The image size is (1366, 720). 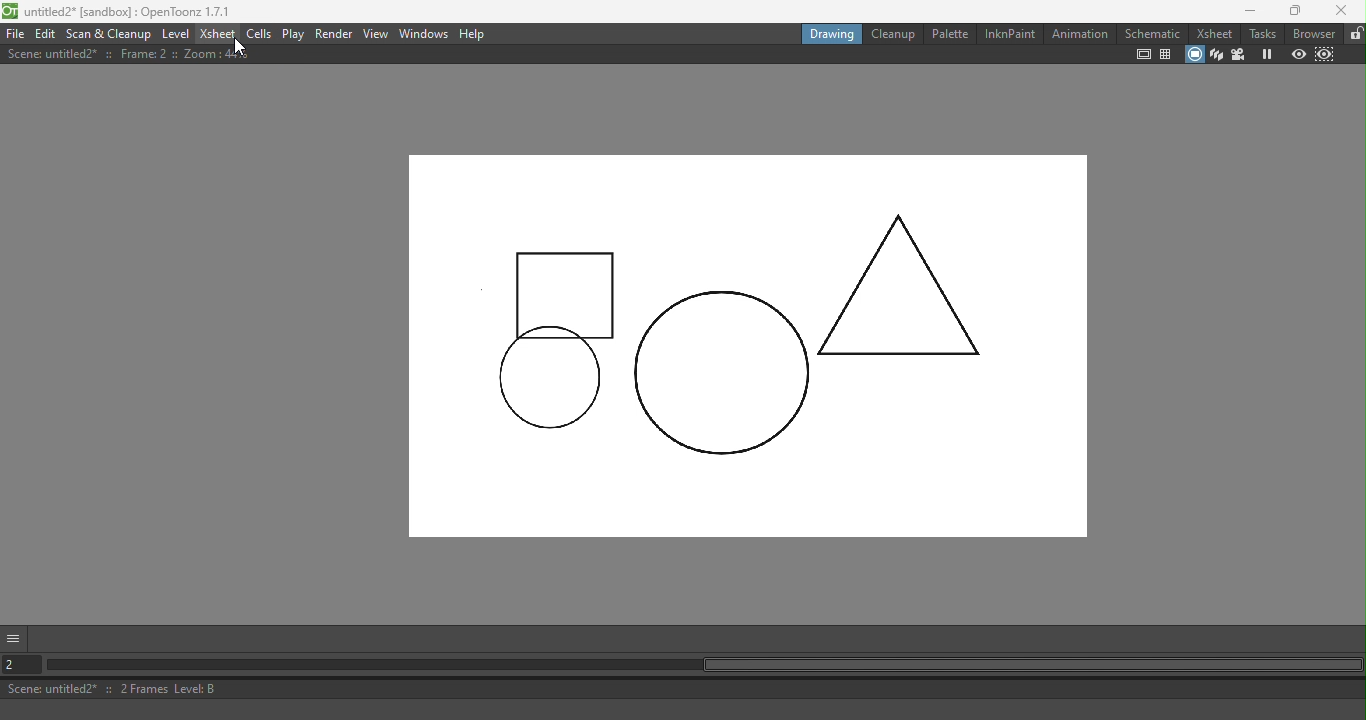 I want to click on Palette, so click(x=948, y=34).